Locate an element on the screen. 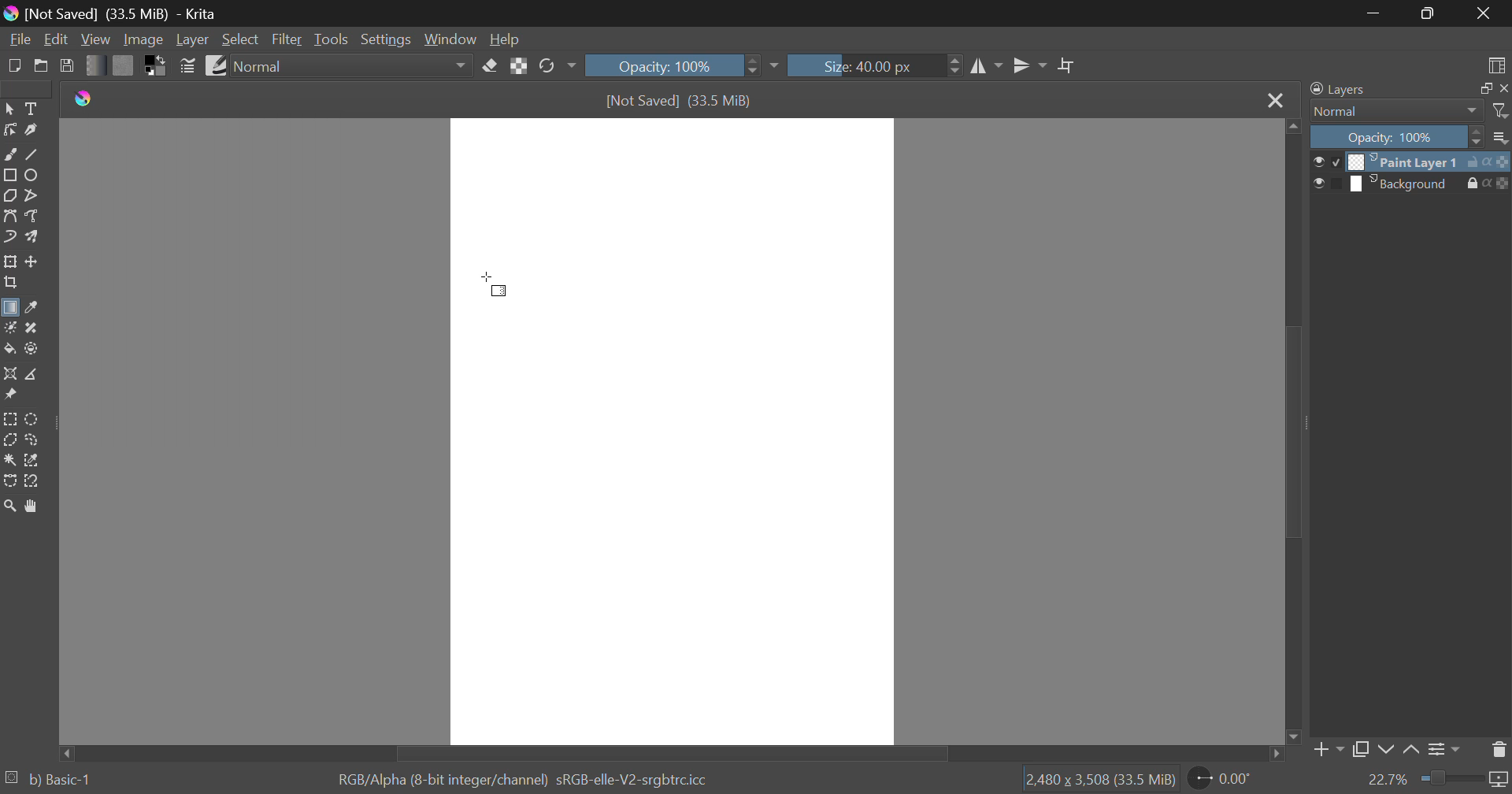 This screenshot has height=794, width=1512. more options is located at coordinates (1501, 137).